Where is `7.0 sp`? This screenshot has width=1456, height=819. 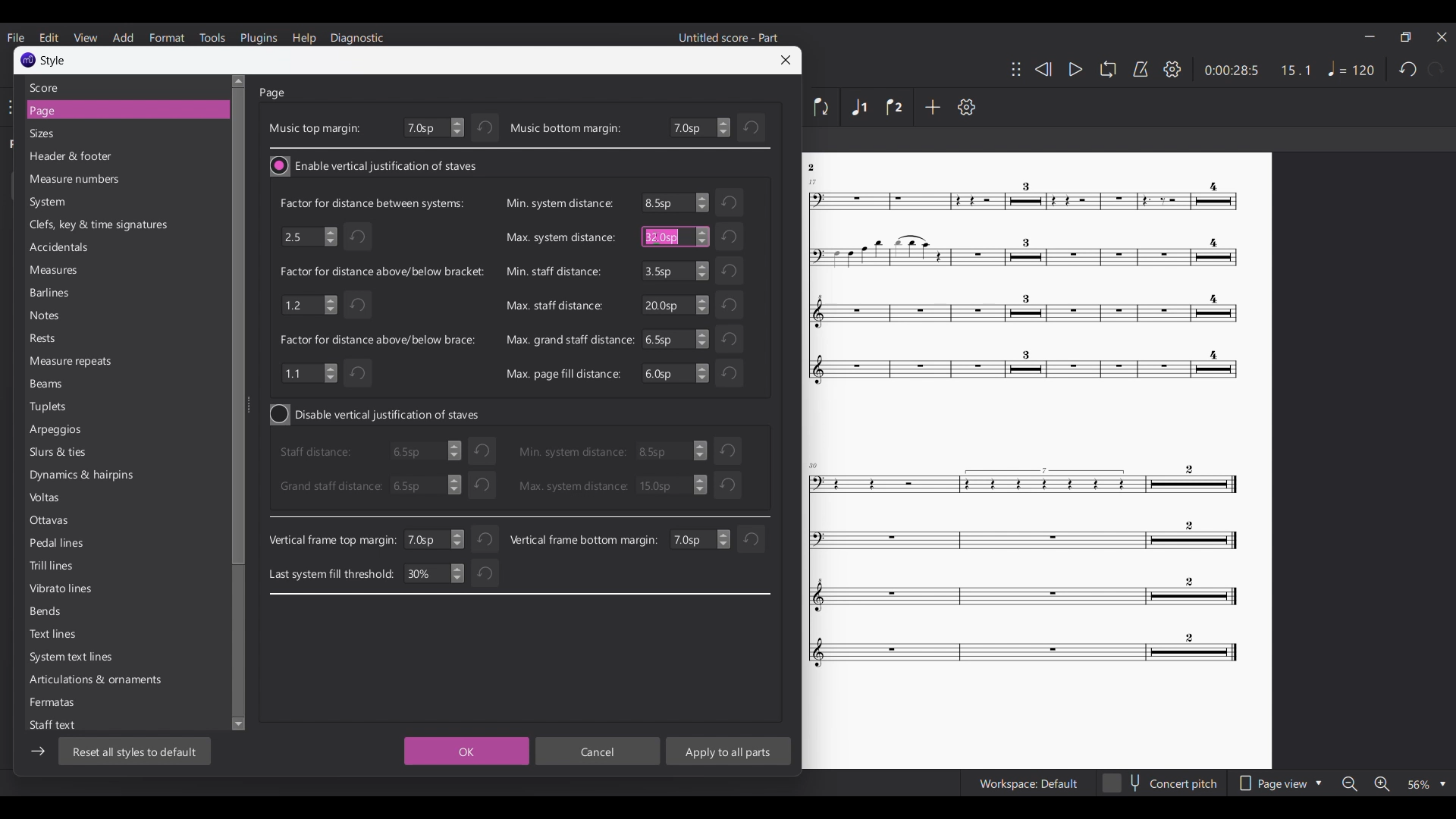 7.0 sp is located at coordinates (435, 539).